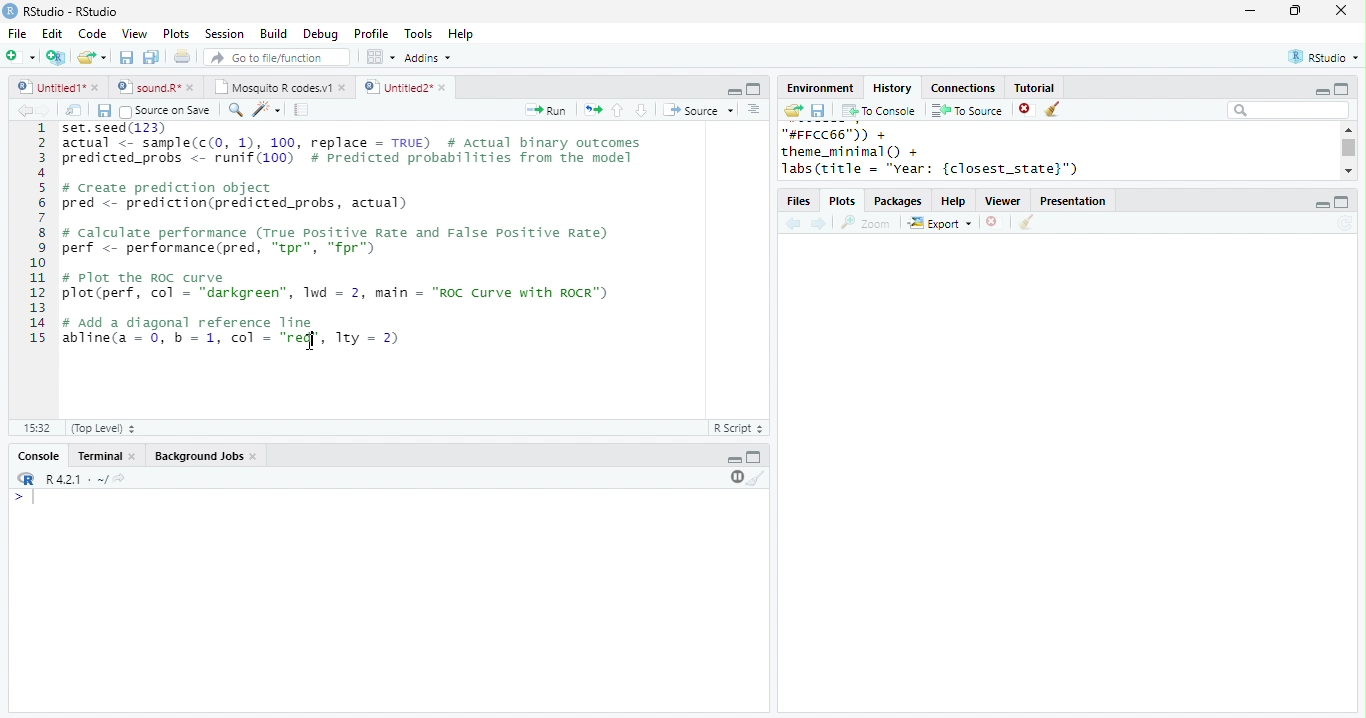  What do you see at coordinates (1026, 223) in the screenshot?
I see `clear` at bounding box center [1026, 223].